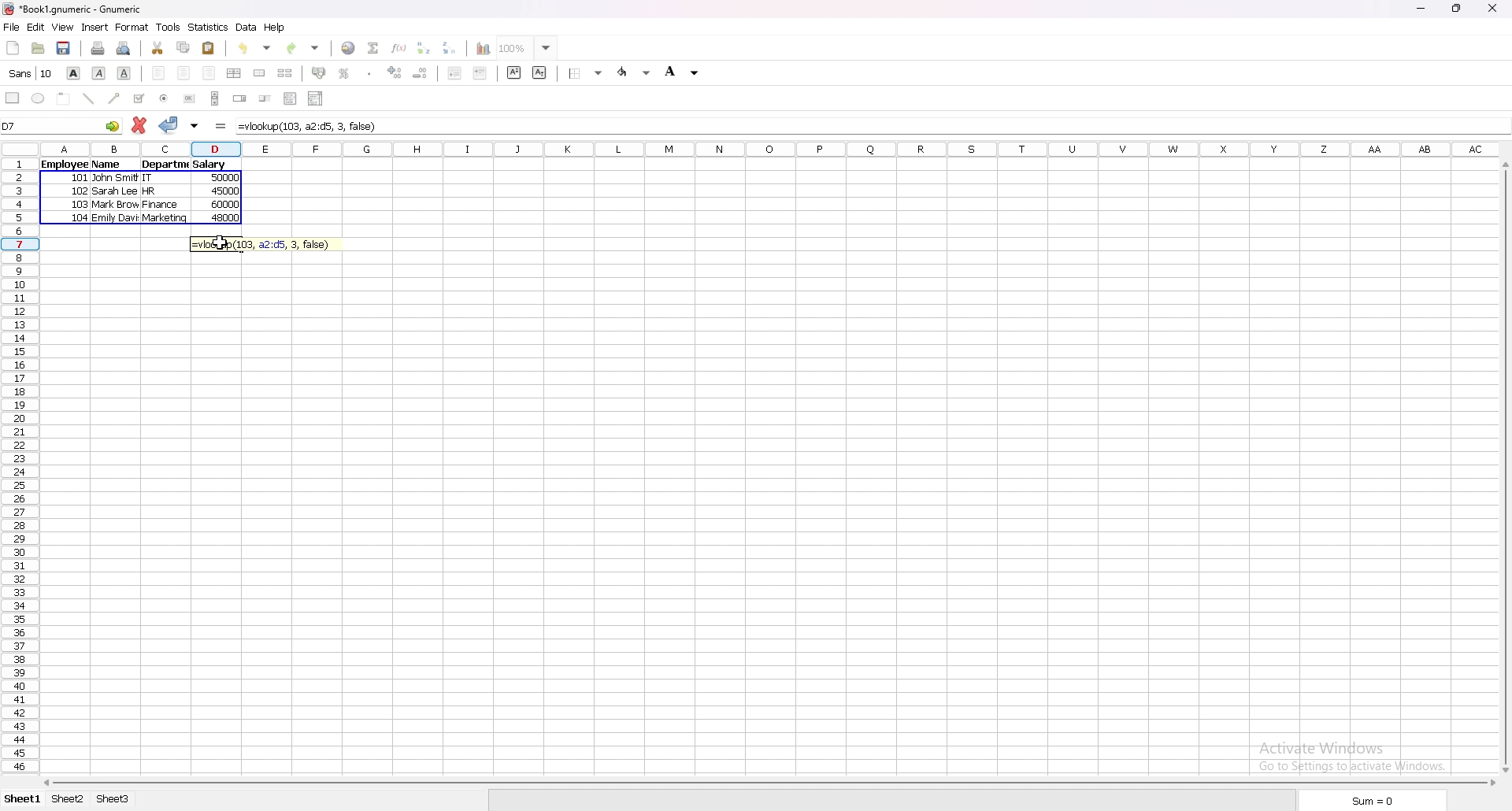 The height and width of the screenshot is (811, 1512). What do you see at coordinates (13, 98) in the screenshot?
I see `rectangle` at bounding box center [13, 98].